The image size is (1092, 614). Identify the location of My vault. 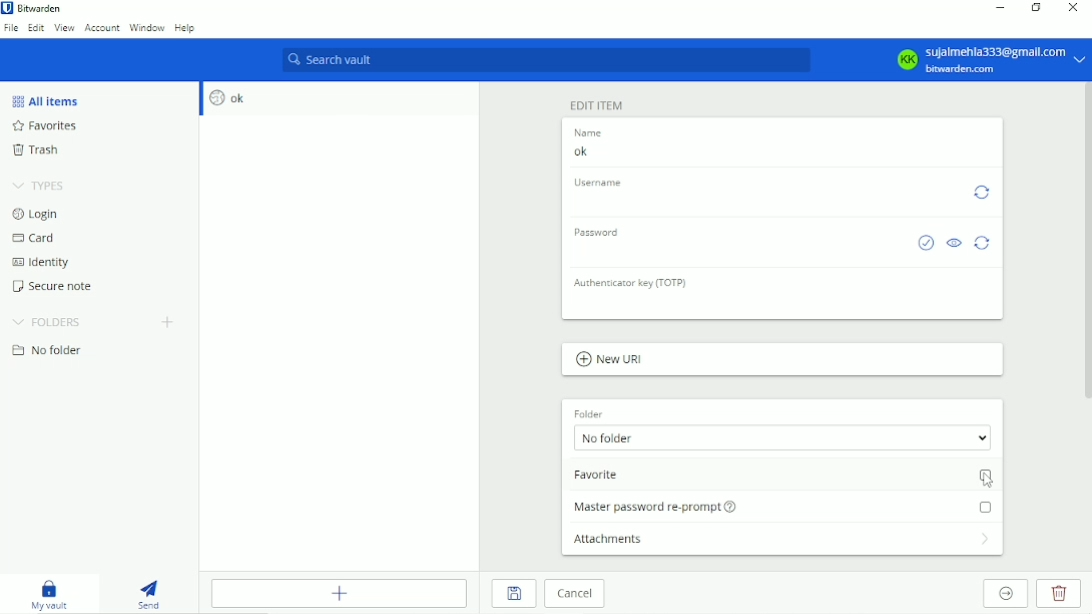
(53, 594).